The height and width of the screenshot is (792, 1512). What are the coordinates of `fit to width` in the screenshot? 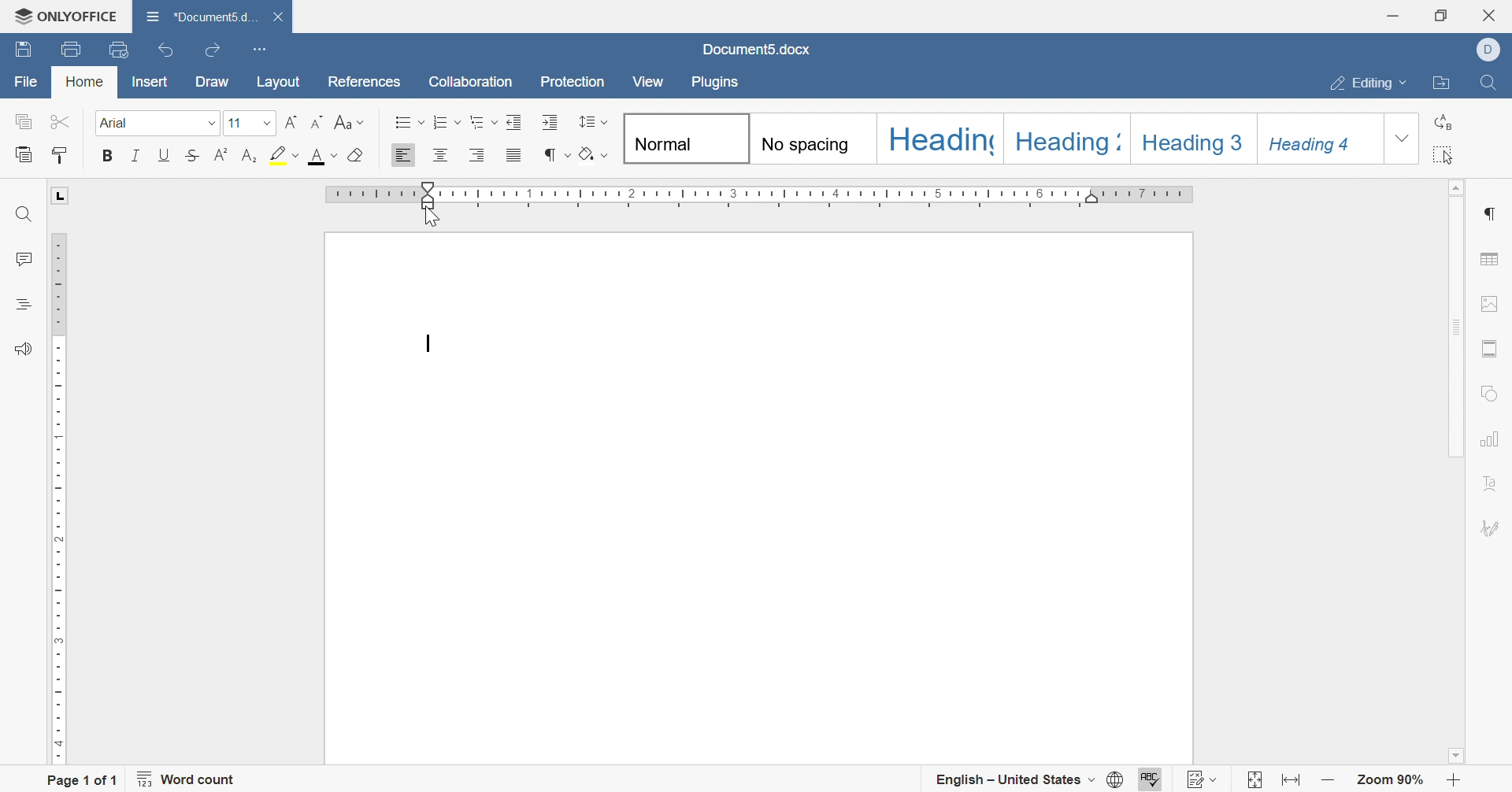 It's located at (1290, 780).